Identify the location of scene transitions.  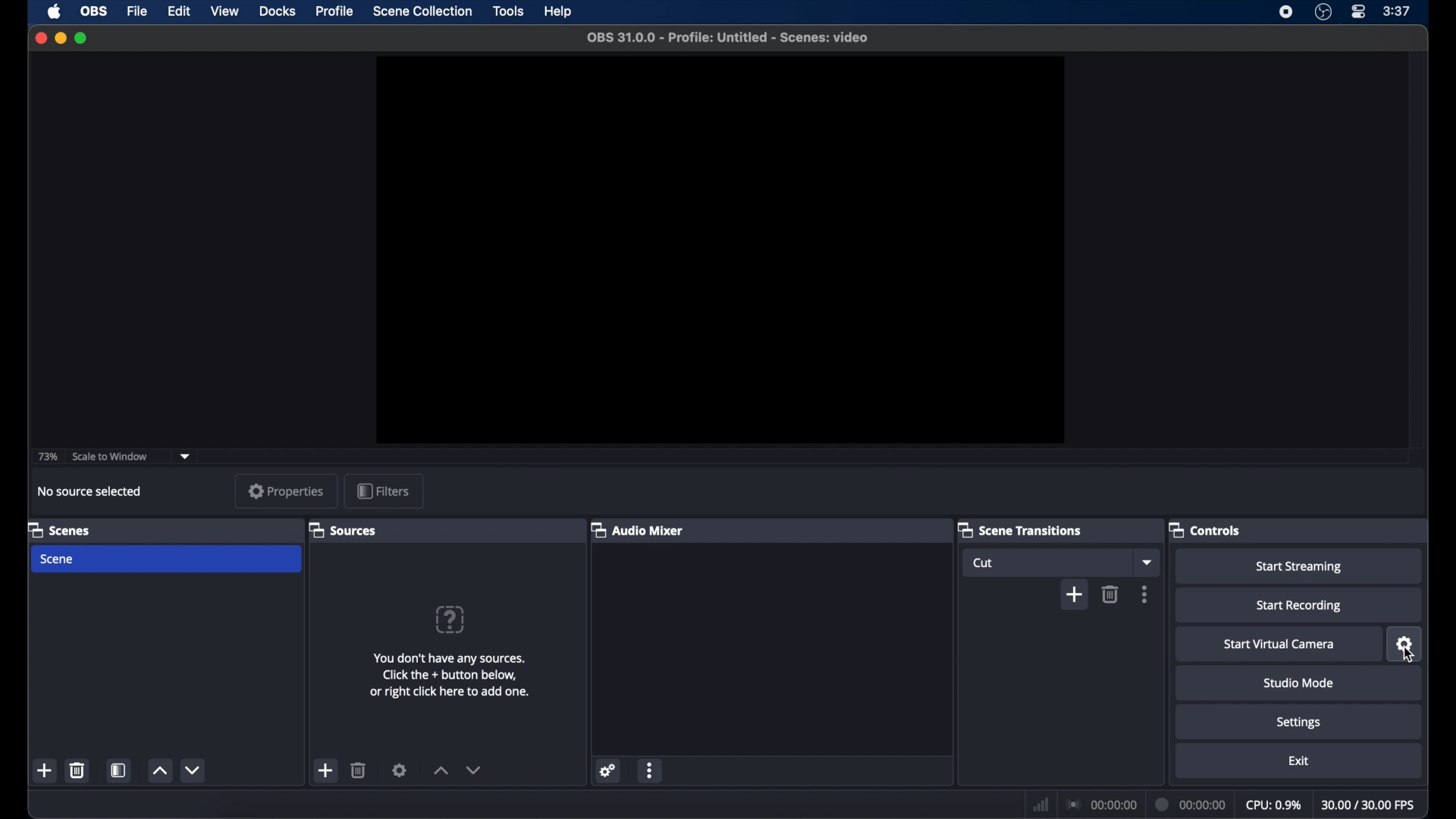
(1021, 529).